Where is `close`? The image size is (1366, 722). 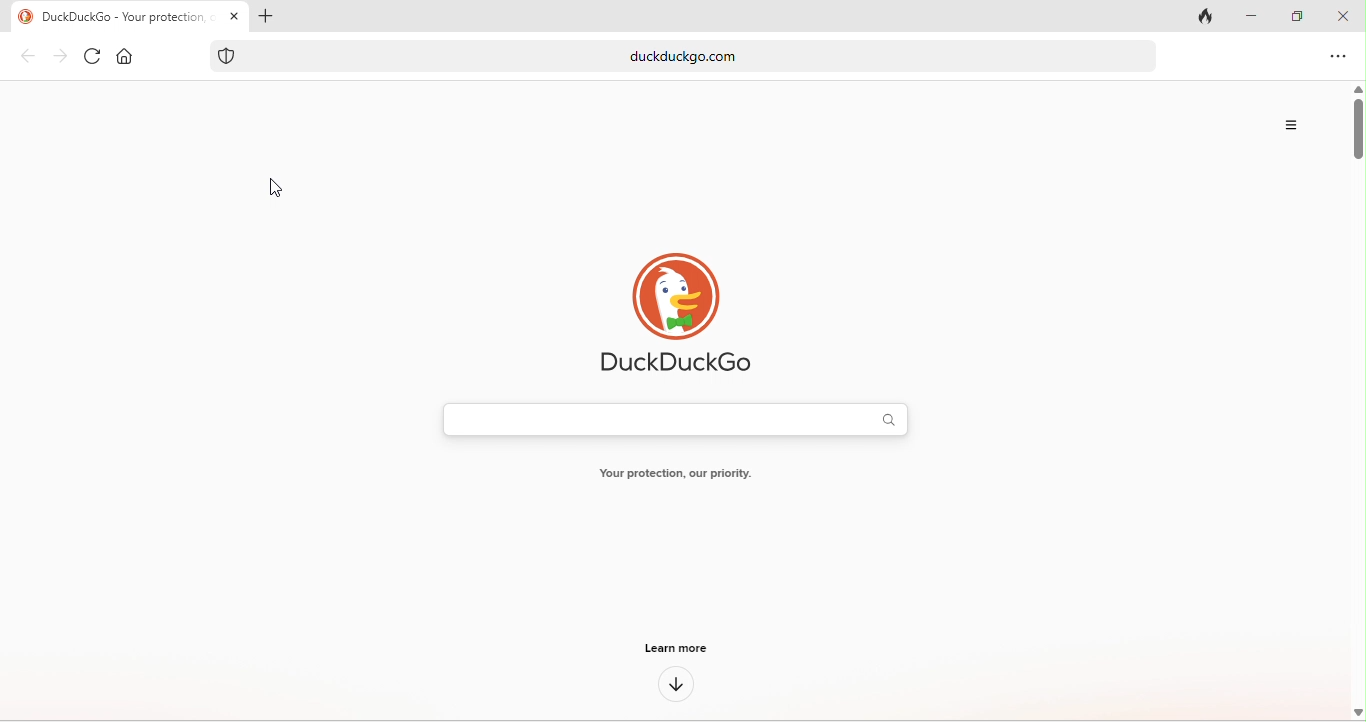
close is located at coordinates (1343, 15).